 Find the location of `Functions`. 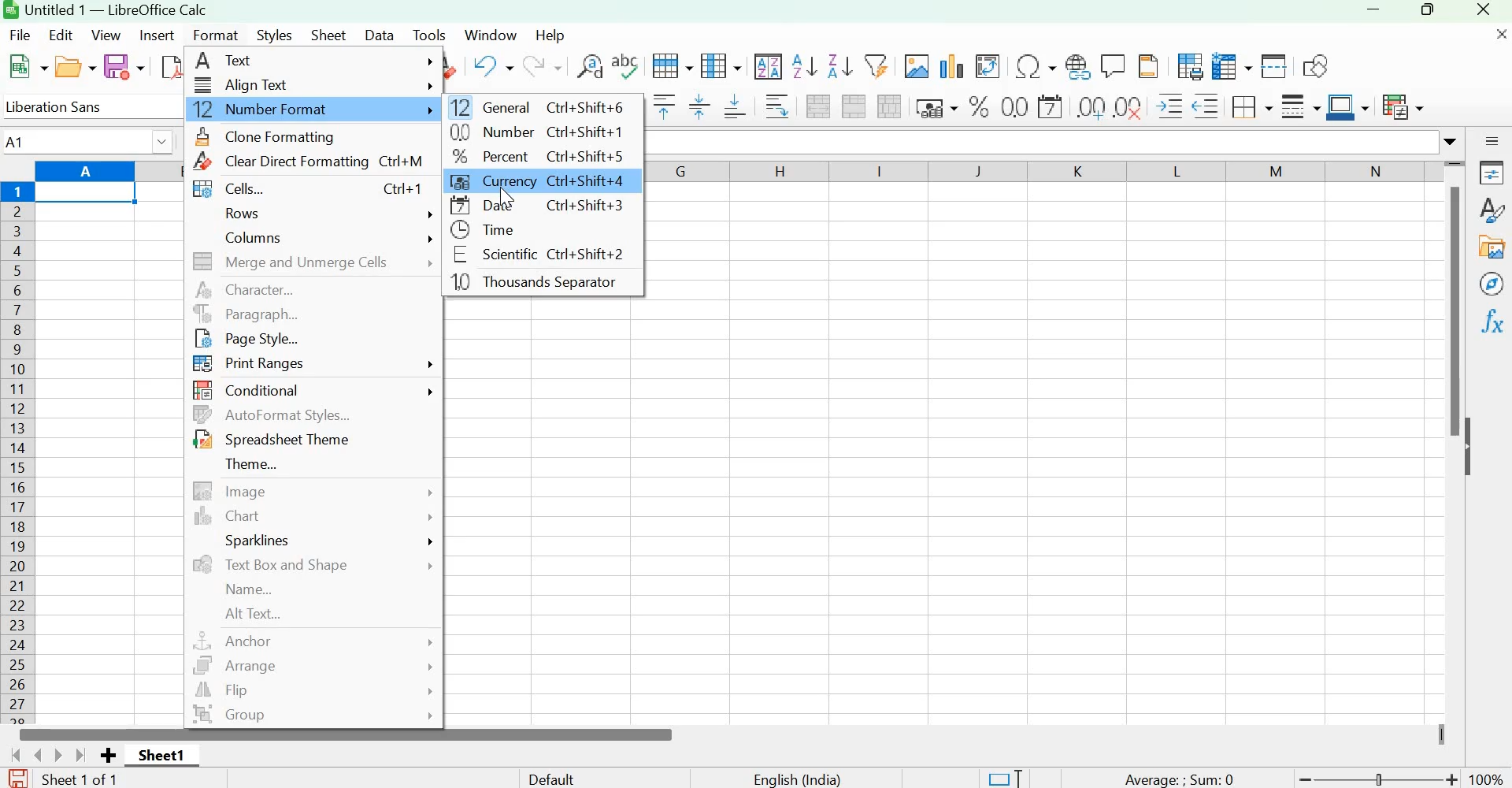

Functions is located at coordinates (1494, 320).